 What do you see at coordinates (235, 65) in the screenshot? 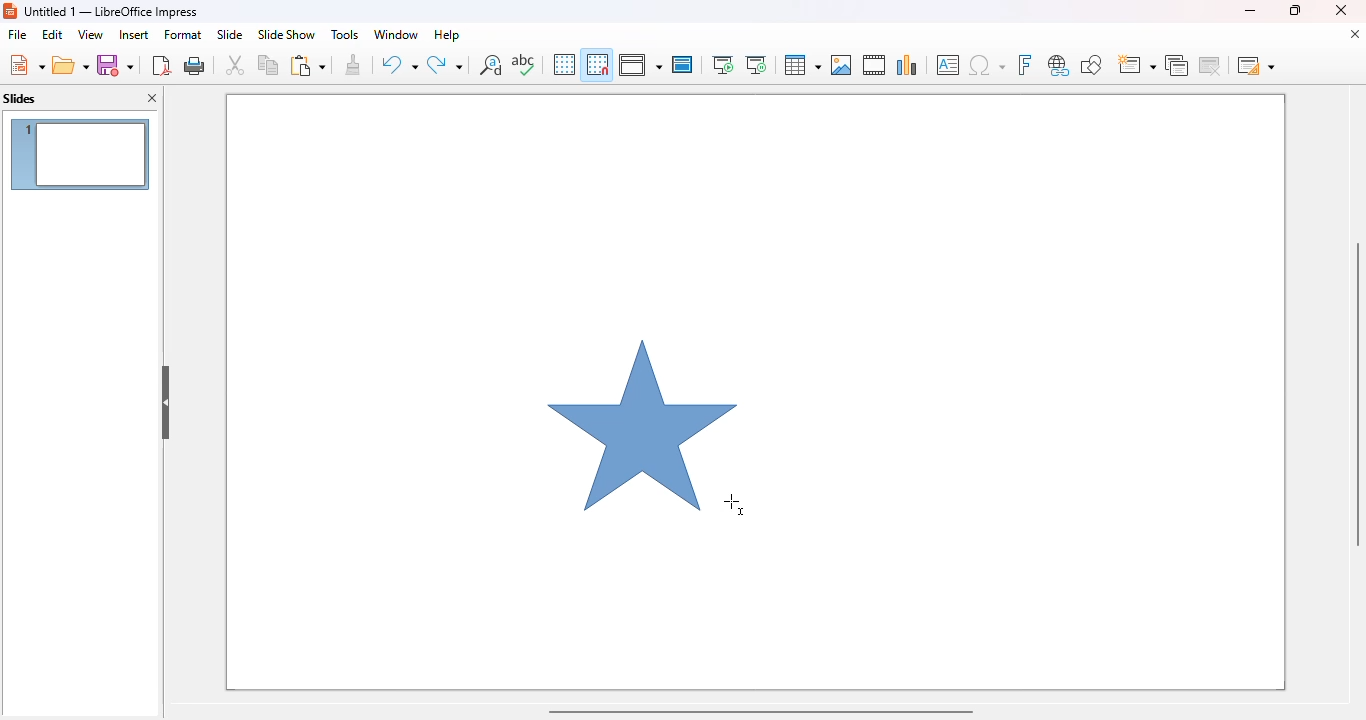
I see `cut` at bounding box center [235, 65].